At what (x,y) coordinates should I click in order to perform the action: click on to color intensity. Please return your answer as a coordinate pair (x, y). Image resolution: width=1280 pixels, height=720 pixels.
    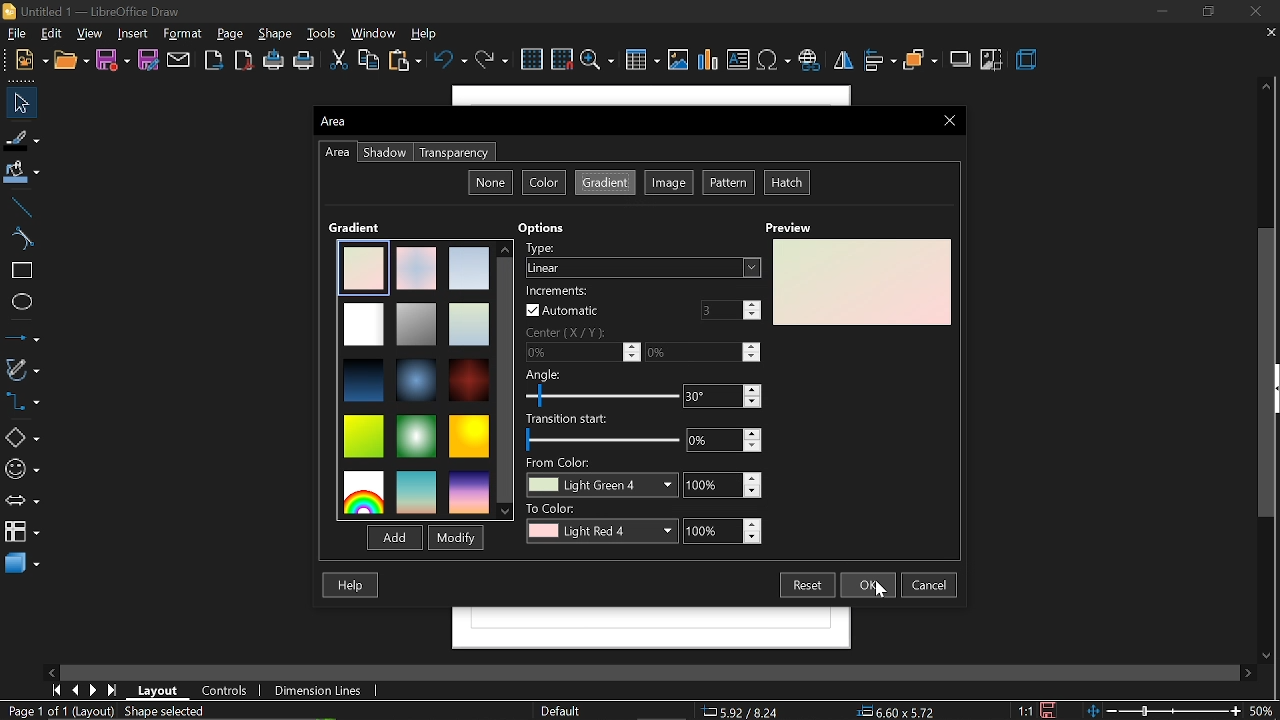
    Looking at the image, I should click on (725, 530).